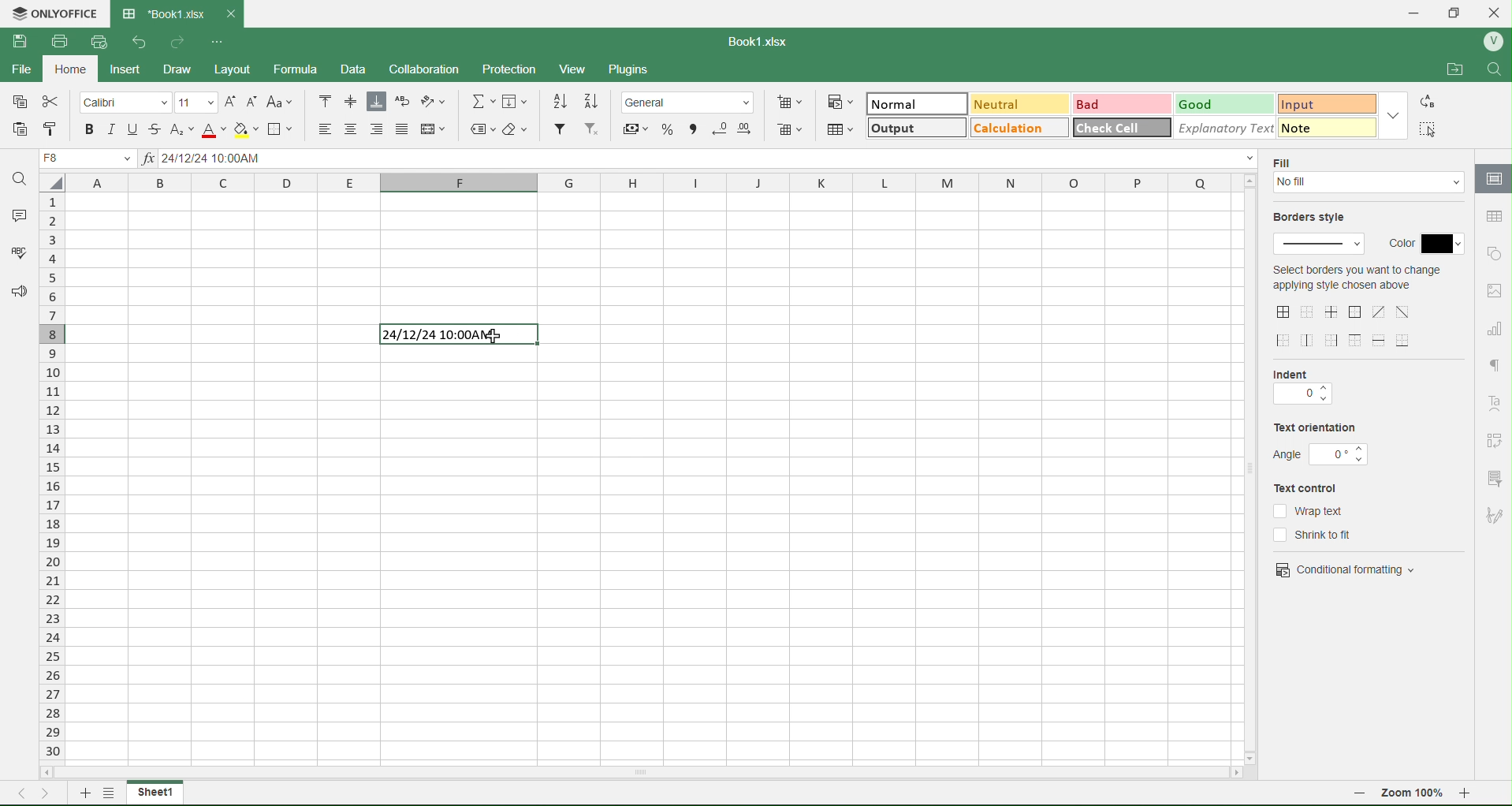 This screenshot has width=1512, height=806. What do you see at coordinates (519, 129) in the screenshot?
I see `Clear` at bounding box center [519, 129].